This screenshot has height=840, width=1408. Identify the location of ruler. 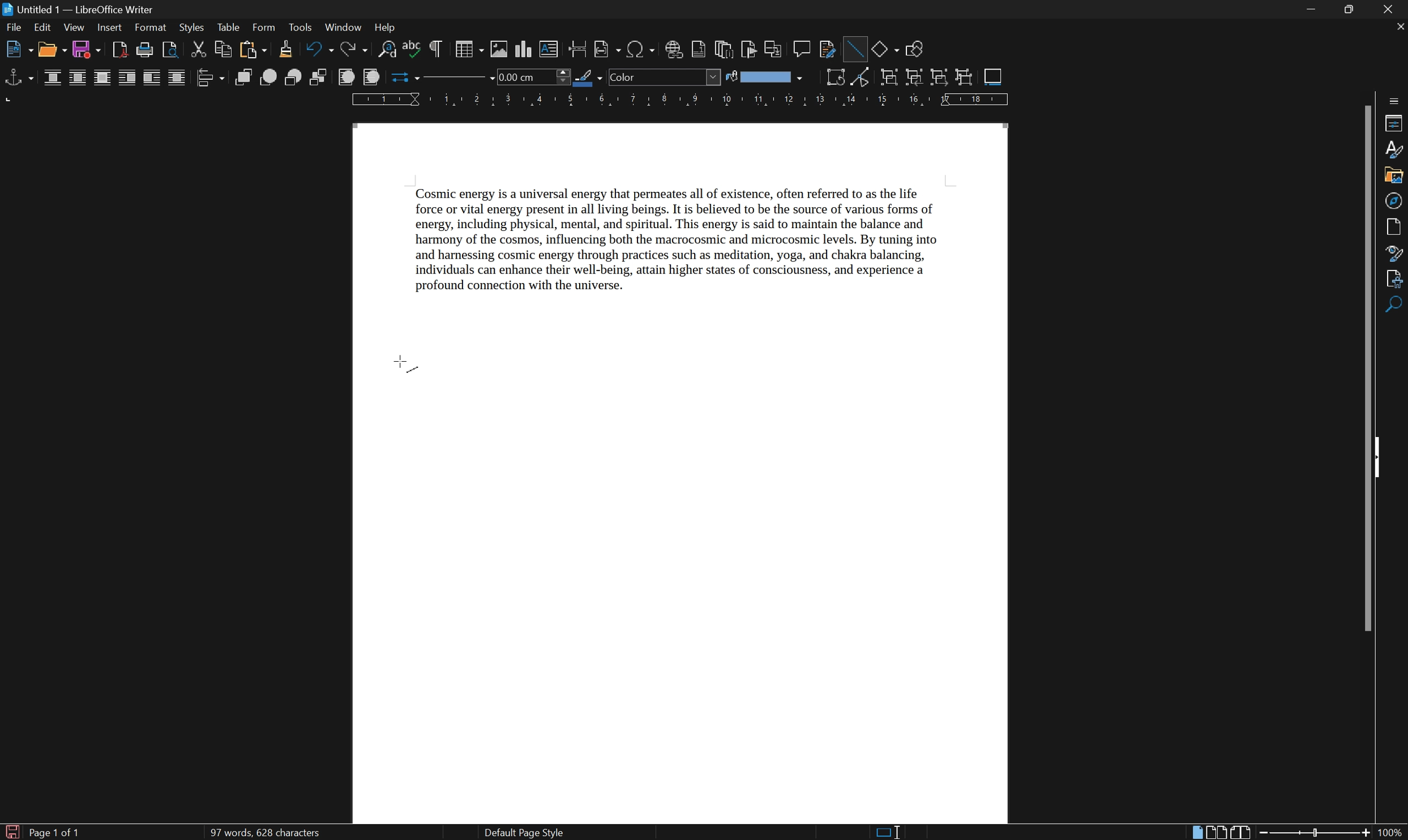
(679, 100).